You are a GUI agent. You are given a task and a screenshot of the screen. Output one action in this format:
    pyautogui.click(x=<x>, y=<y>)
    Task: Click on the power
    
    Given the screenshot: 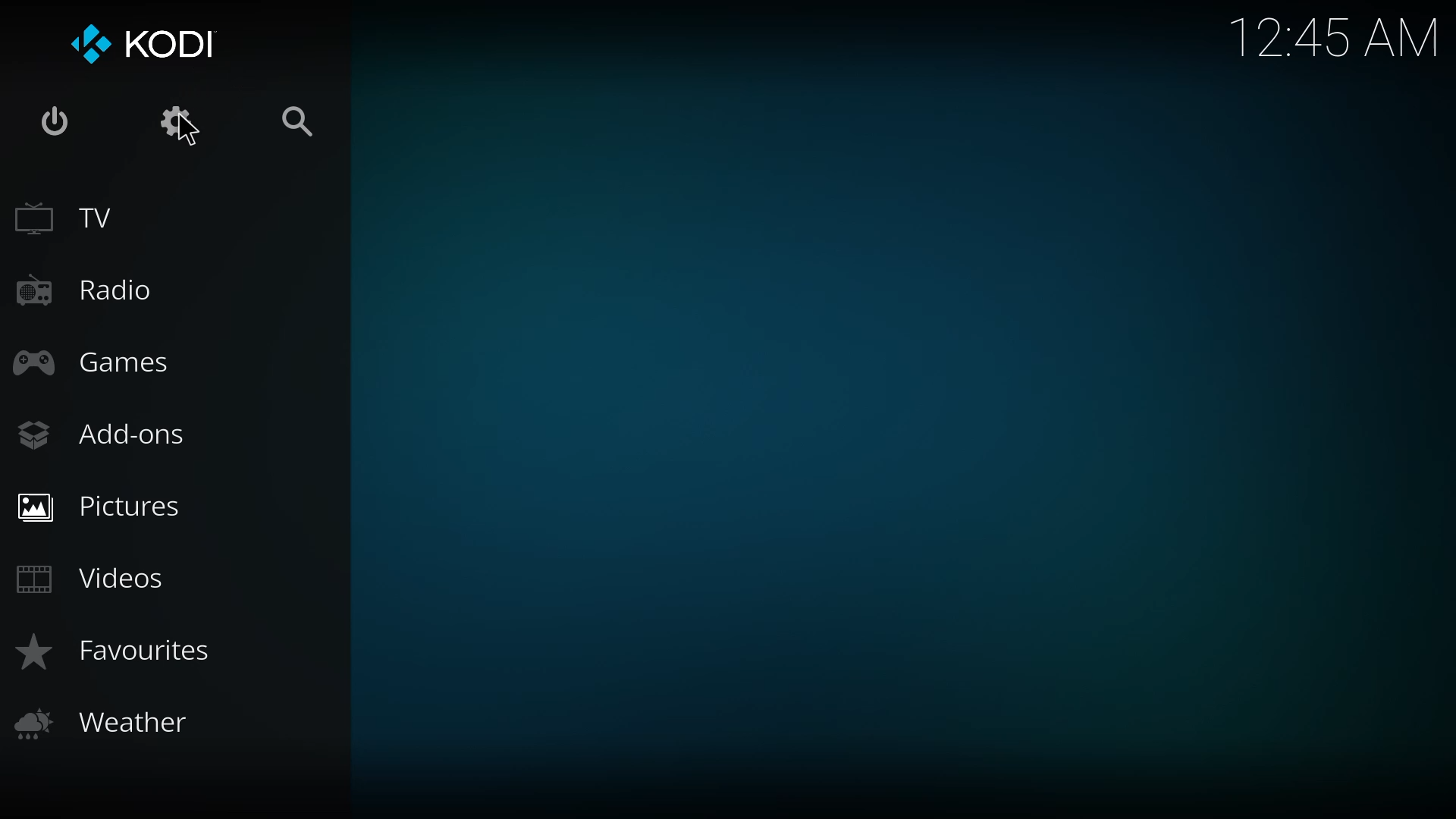 What is the action you would take?
    pyautogui.click(x=55, y=119)
    